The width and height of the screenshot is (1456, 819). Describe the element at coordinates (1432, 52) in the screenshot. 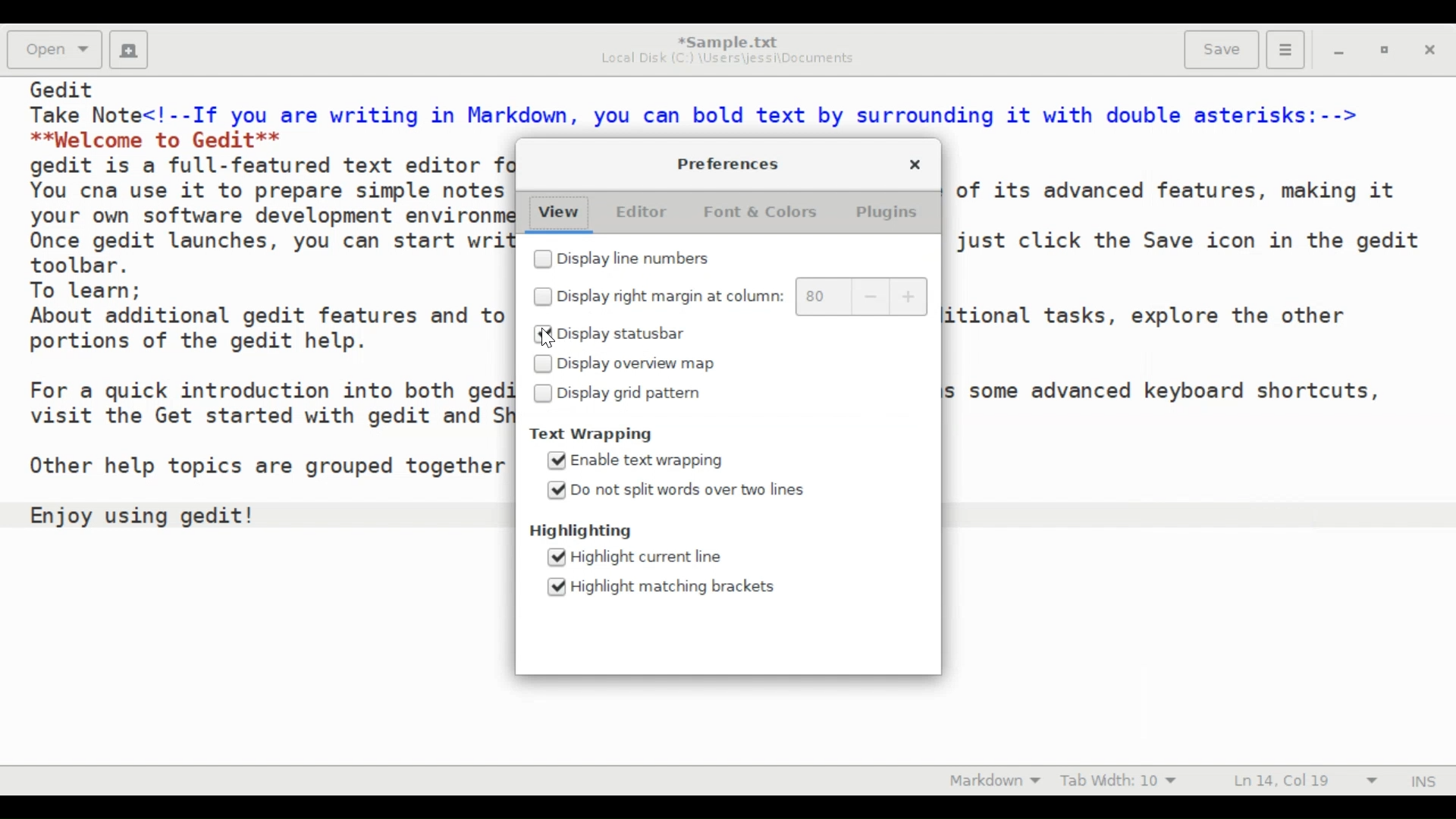

I see `Close` at that location.